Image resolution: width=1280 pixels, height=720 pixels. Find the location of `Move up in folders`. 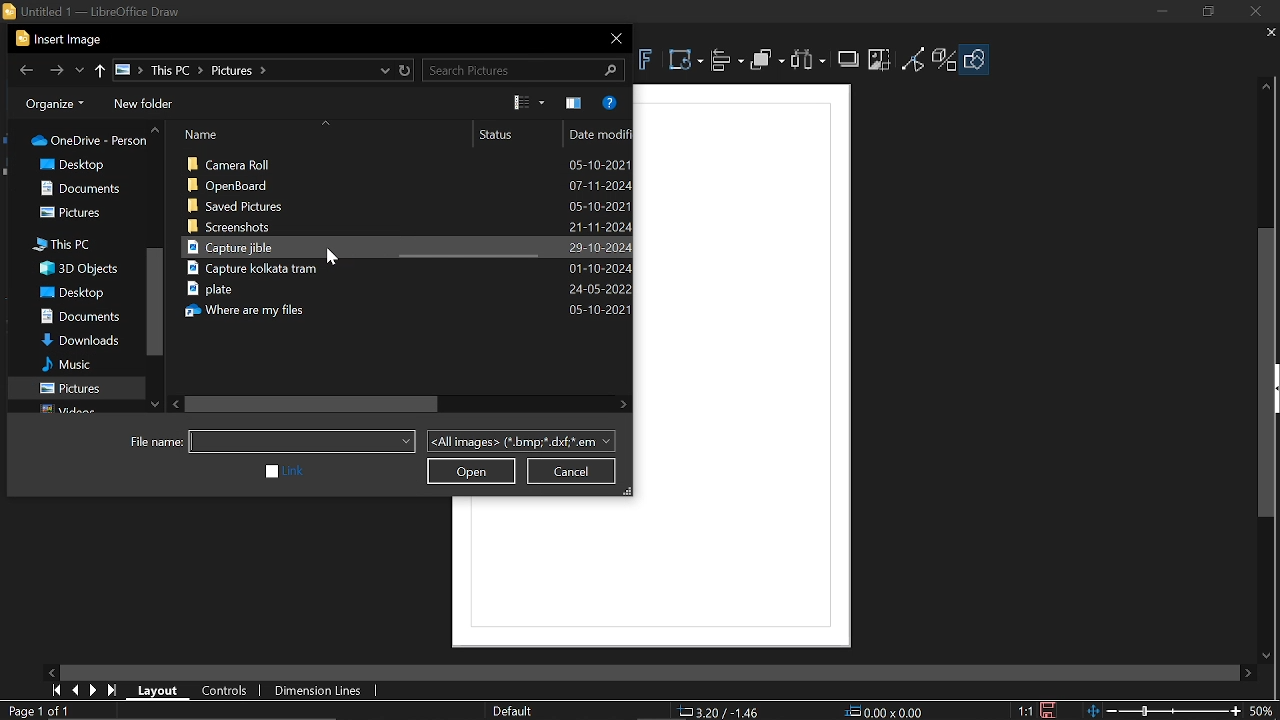

Move up in folders is located at coordinates (158, 129).